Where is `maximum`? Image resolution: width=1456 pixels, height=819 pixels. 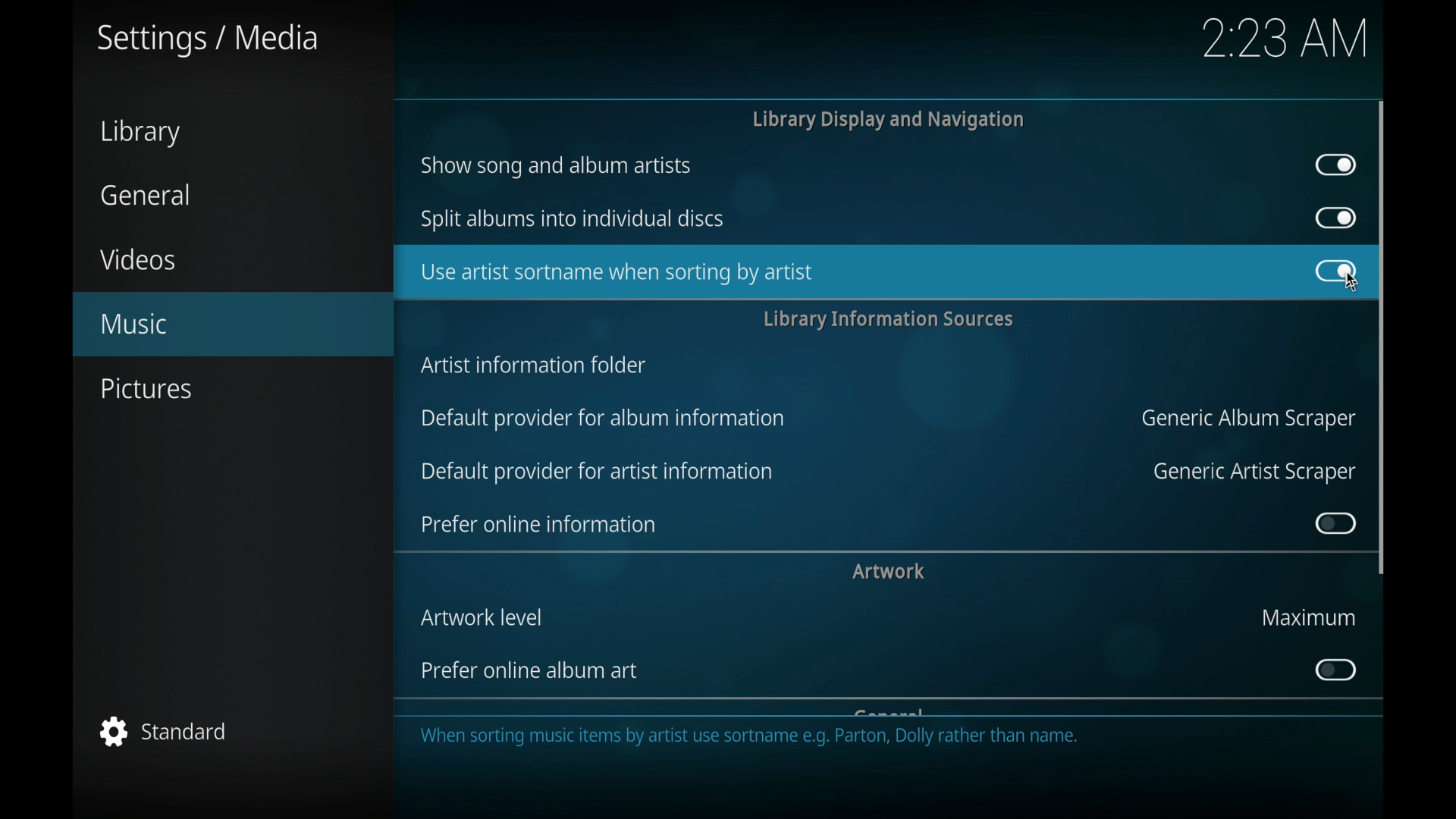 maximum is located at coordinates (1307, 617).